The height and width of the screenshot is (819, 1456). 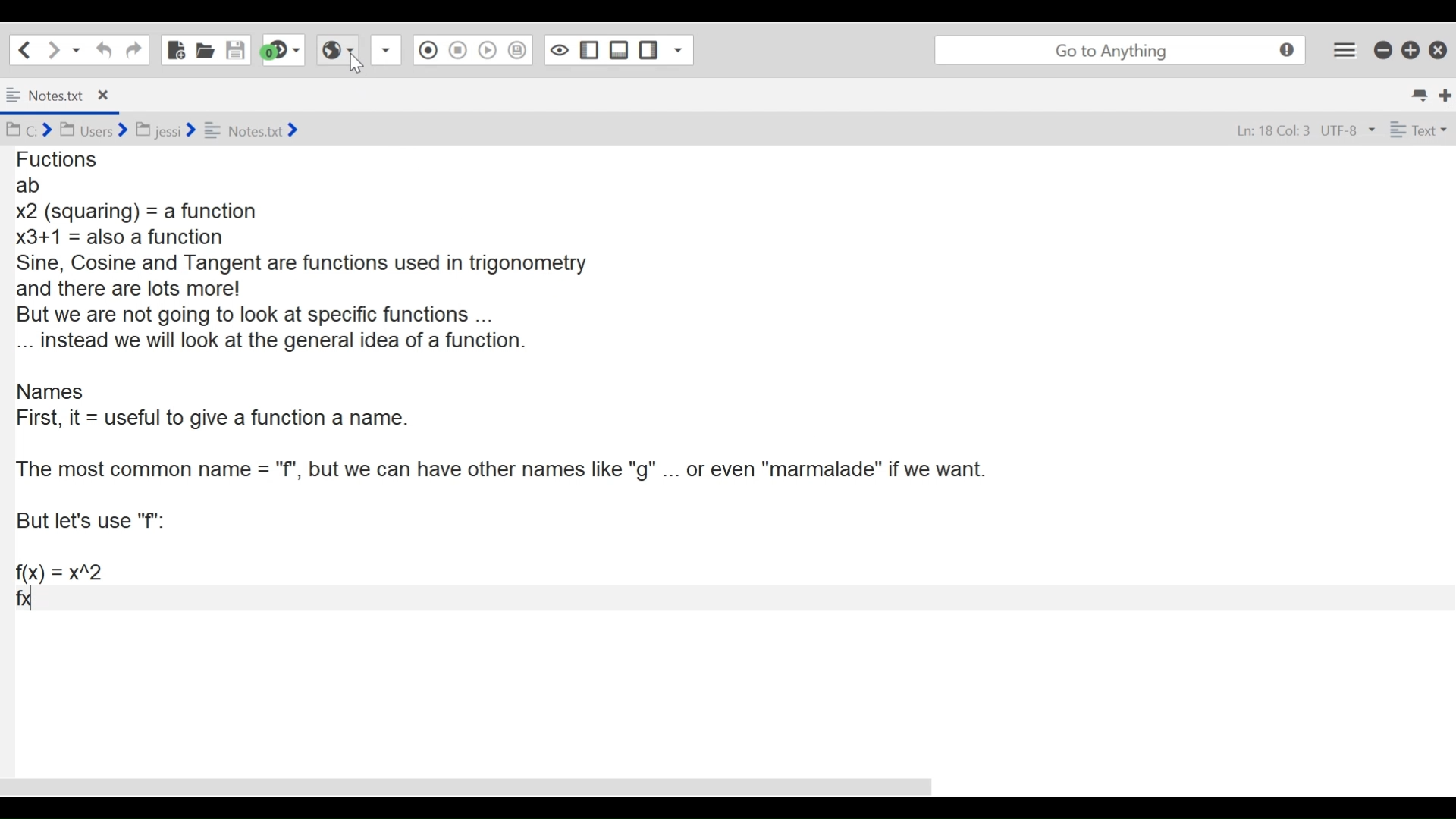 What do you see at coordinates (104, 50) in the screenshot?
I see `Redo the last action` at bounding box center [104, 50].